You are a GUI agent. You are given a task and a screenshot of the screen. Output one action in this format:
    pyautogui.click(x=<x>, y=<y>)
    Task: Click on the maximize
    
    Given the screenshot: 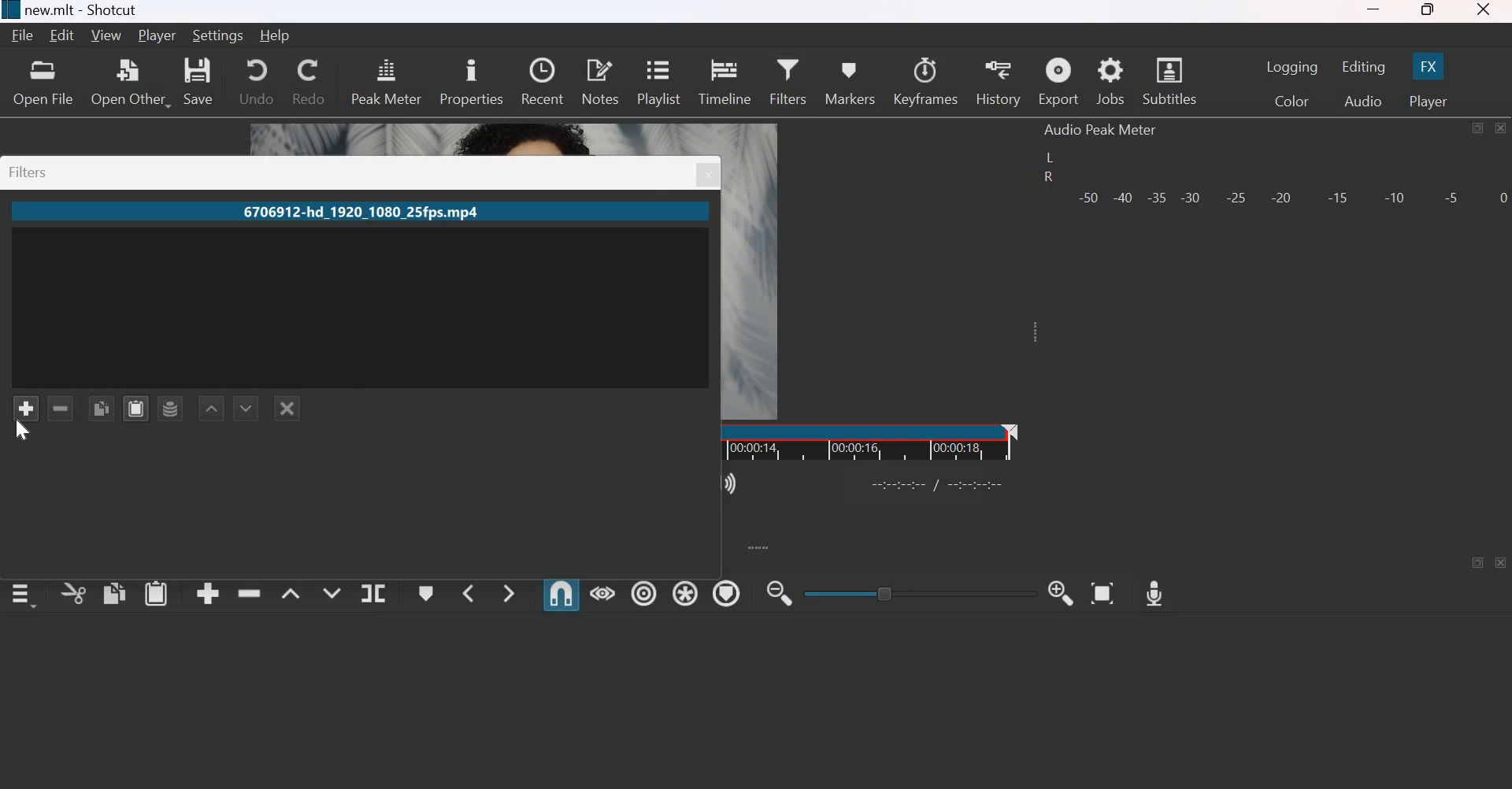 What is the action you would take?
    pyautogui.click(x=1427, y=12)
    